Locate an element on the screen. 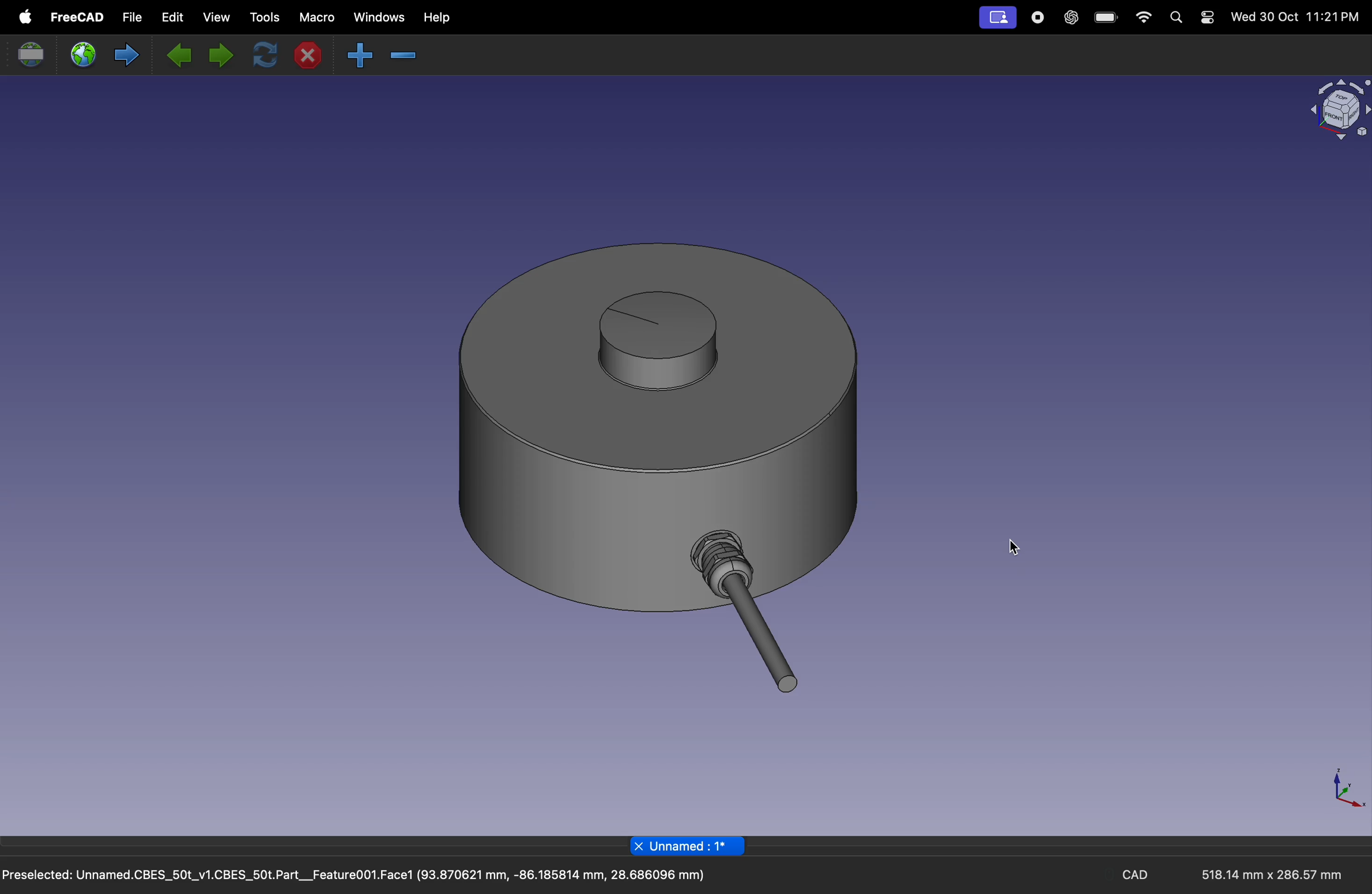 This screenshot has width=1372, height=894. Wed 30 Oct 11:21PM is located at coordinates (1295, 17).